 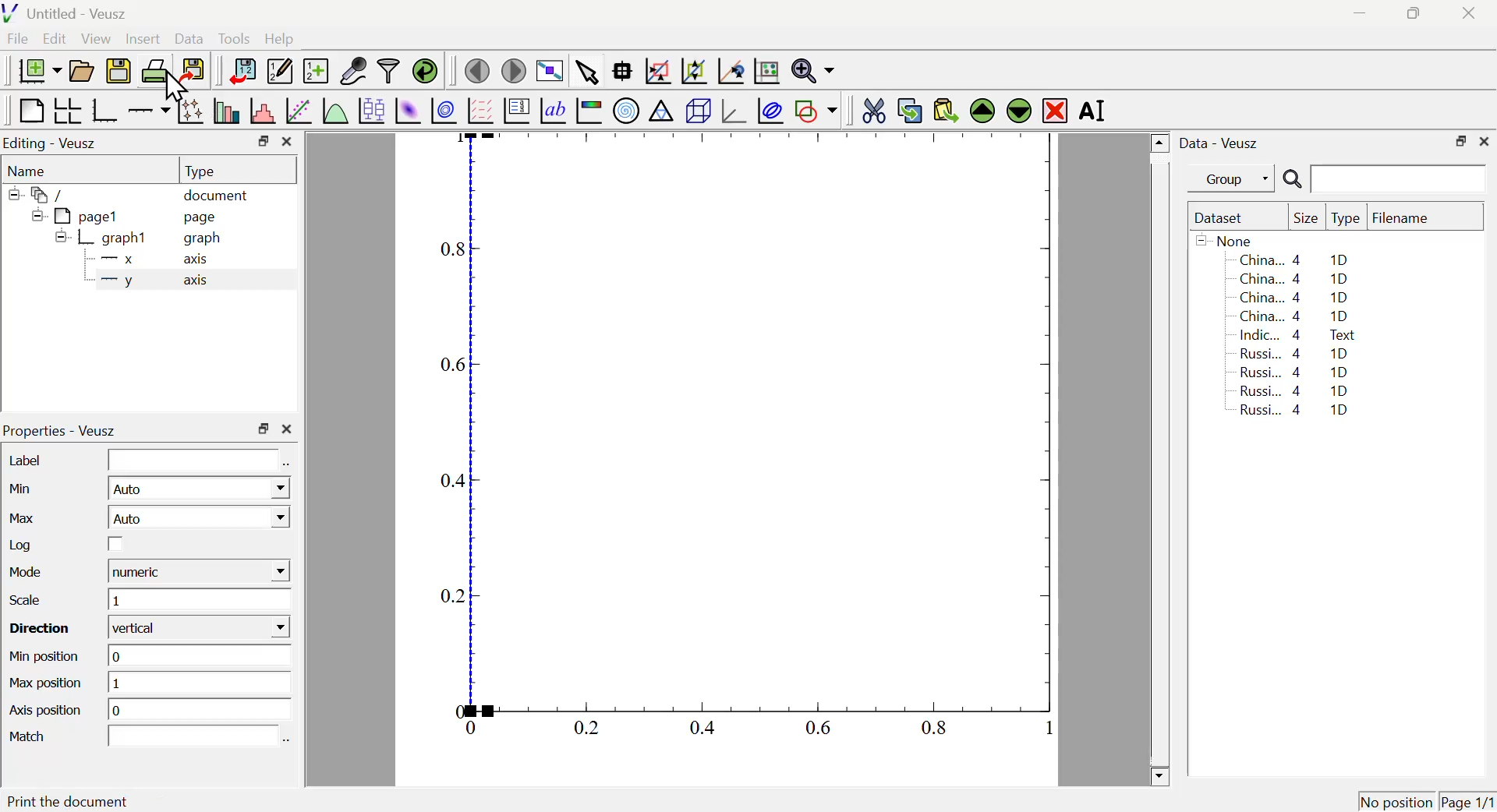 What do you see at coordinates (766, 69) in the screenshot?
I see `Click to Reset Graph axis` at bounding box center [766, 69].